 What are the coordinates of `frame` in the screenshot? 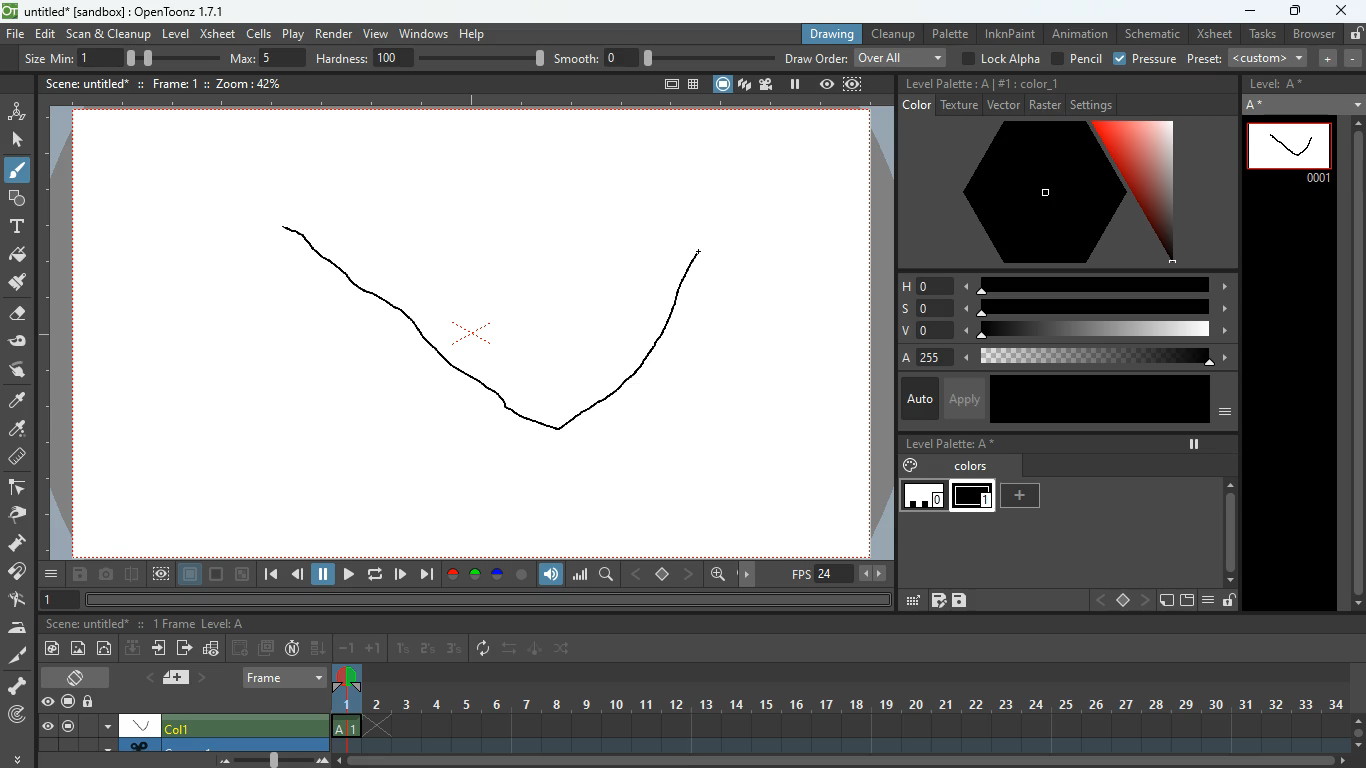 It's located at (286, 677).